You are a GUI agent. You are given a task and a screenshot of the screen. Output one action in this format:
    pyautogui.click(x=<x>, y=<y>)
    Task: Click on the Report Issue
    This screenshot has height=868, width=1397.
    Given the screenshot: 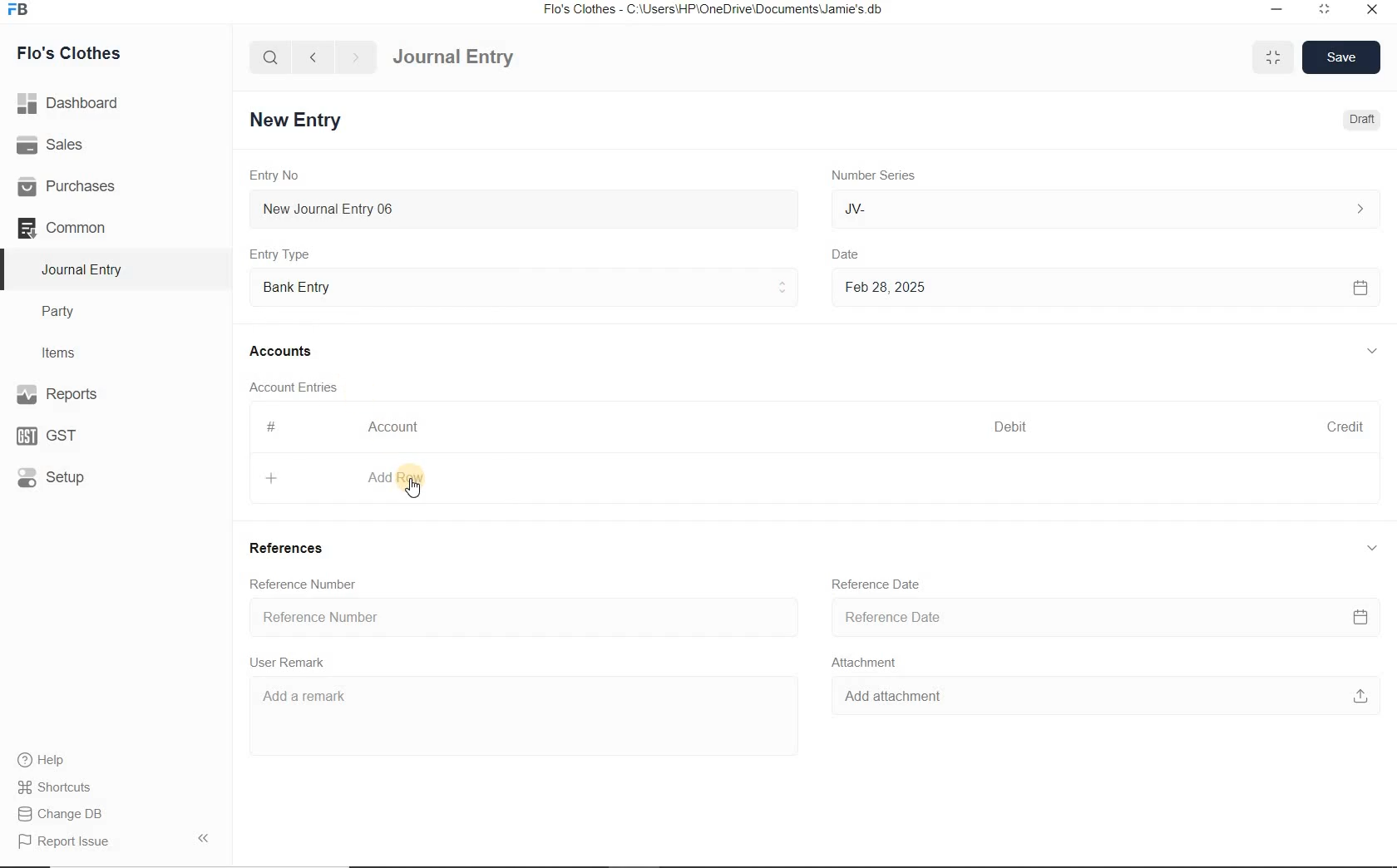 What is the action you would take?
    pyautogui.click(x=63, y=841)
    